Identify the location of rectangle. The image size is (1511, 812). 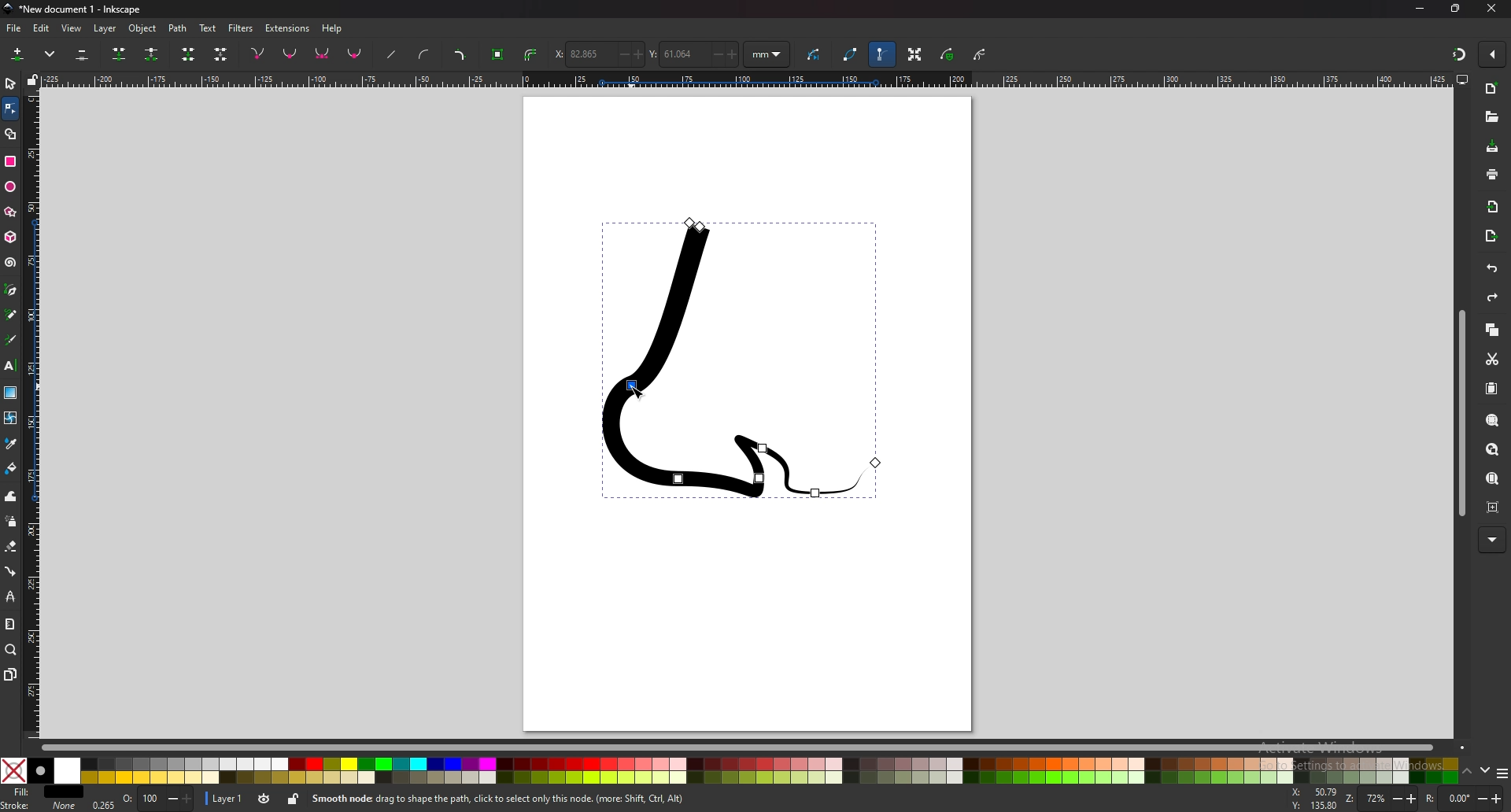
(9, 161).